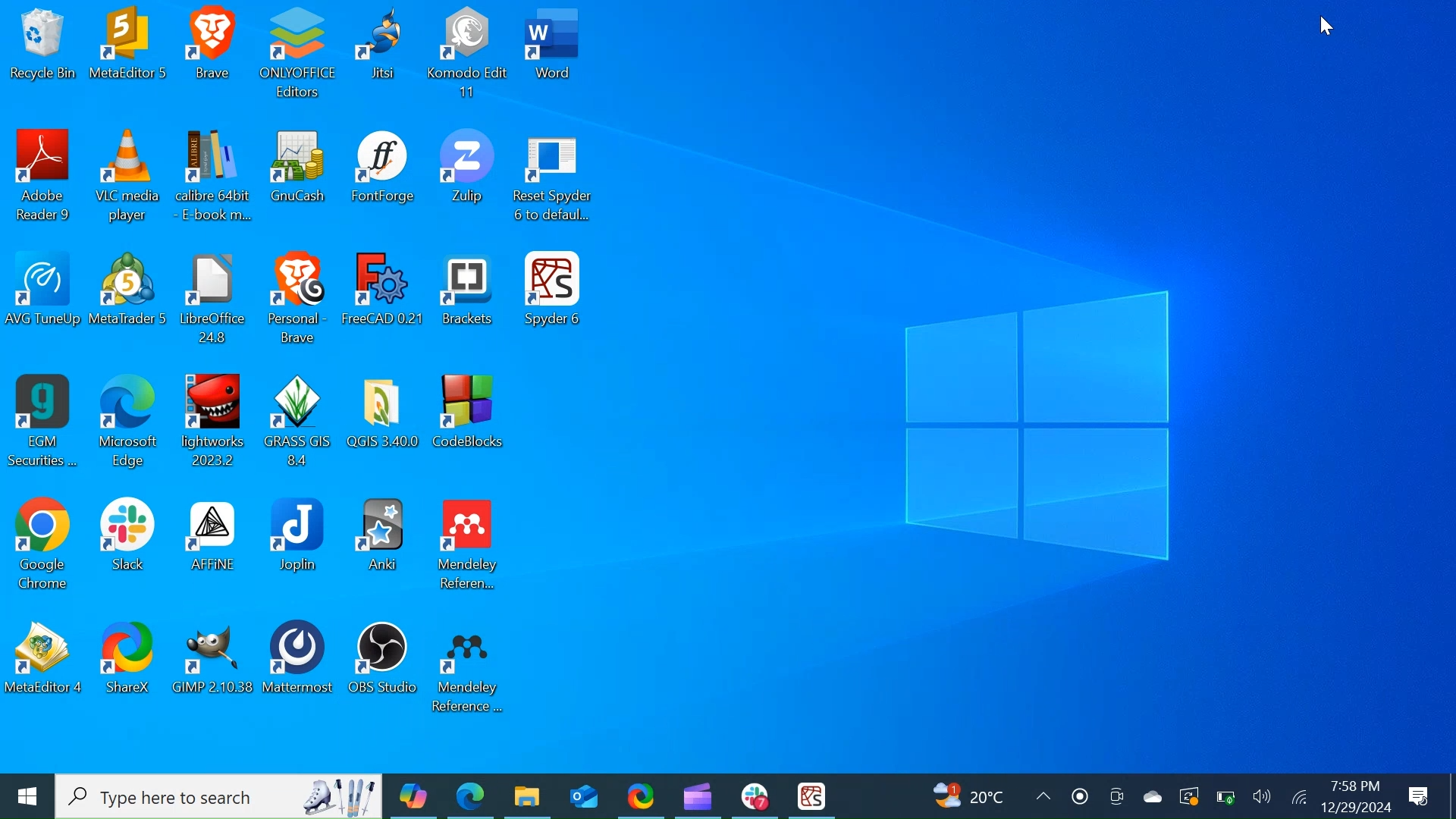 The width and height of the screenshot is (1456, 819). What do you see at coordinates (554, 179) in the screenshot?
I see `Reset Spyder Desktop icon` at bounding box center [554, 179].